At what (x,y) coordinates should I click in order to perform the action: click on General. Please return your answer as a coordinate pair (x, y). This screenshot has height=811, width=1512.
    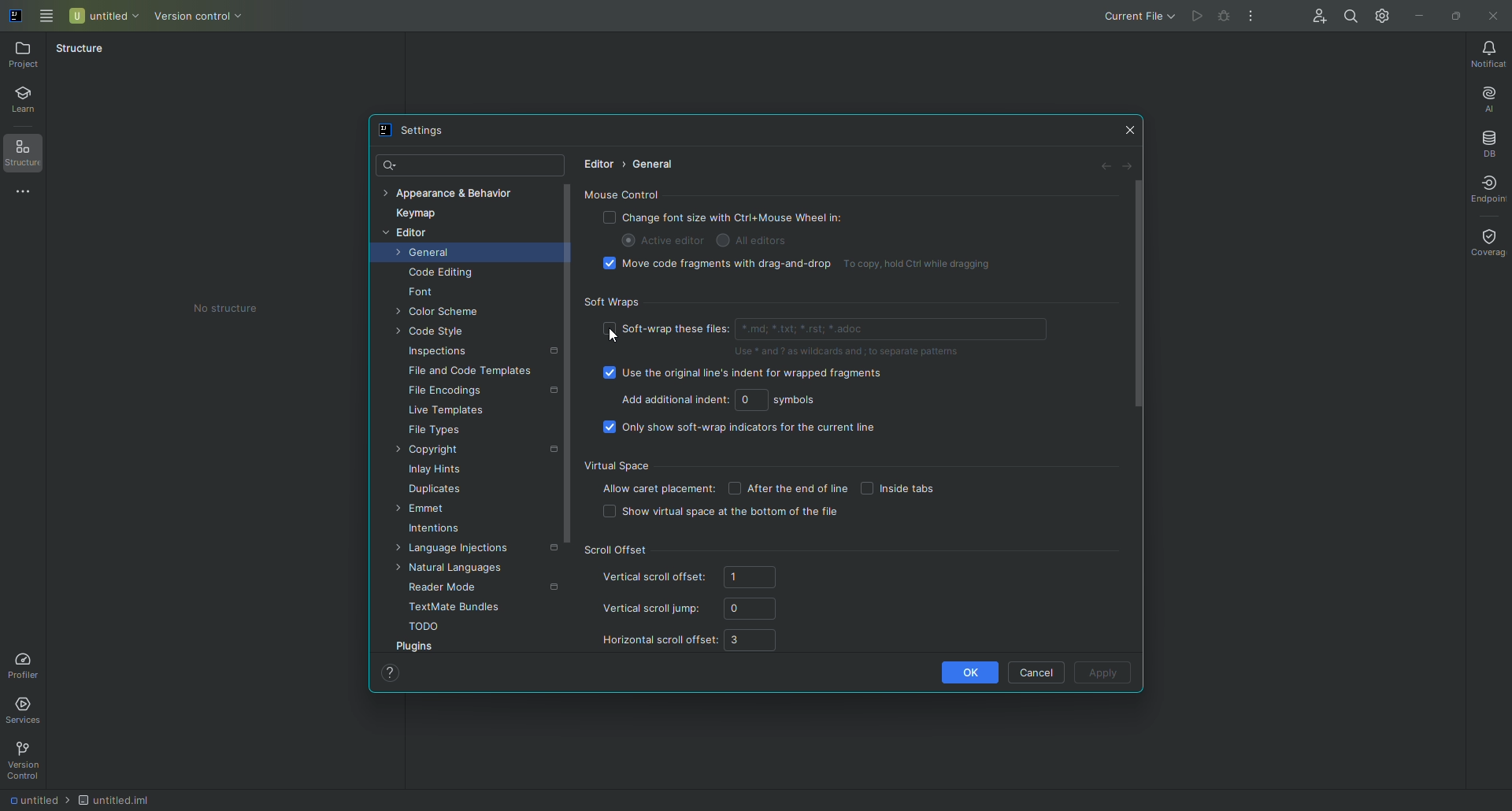
    Looking at the image, I should click on (654, 165).